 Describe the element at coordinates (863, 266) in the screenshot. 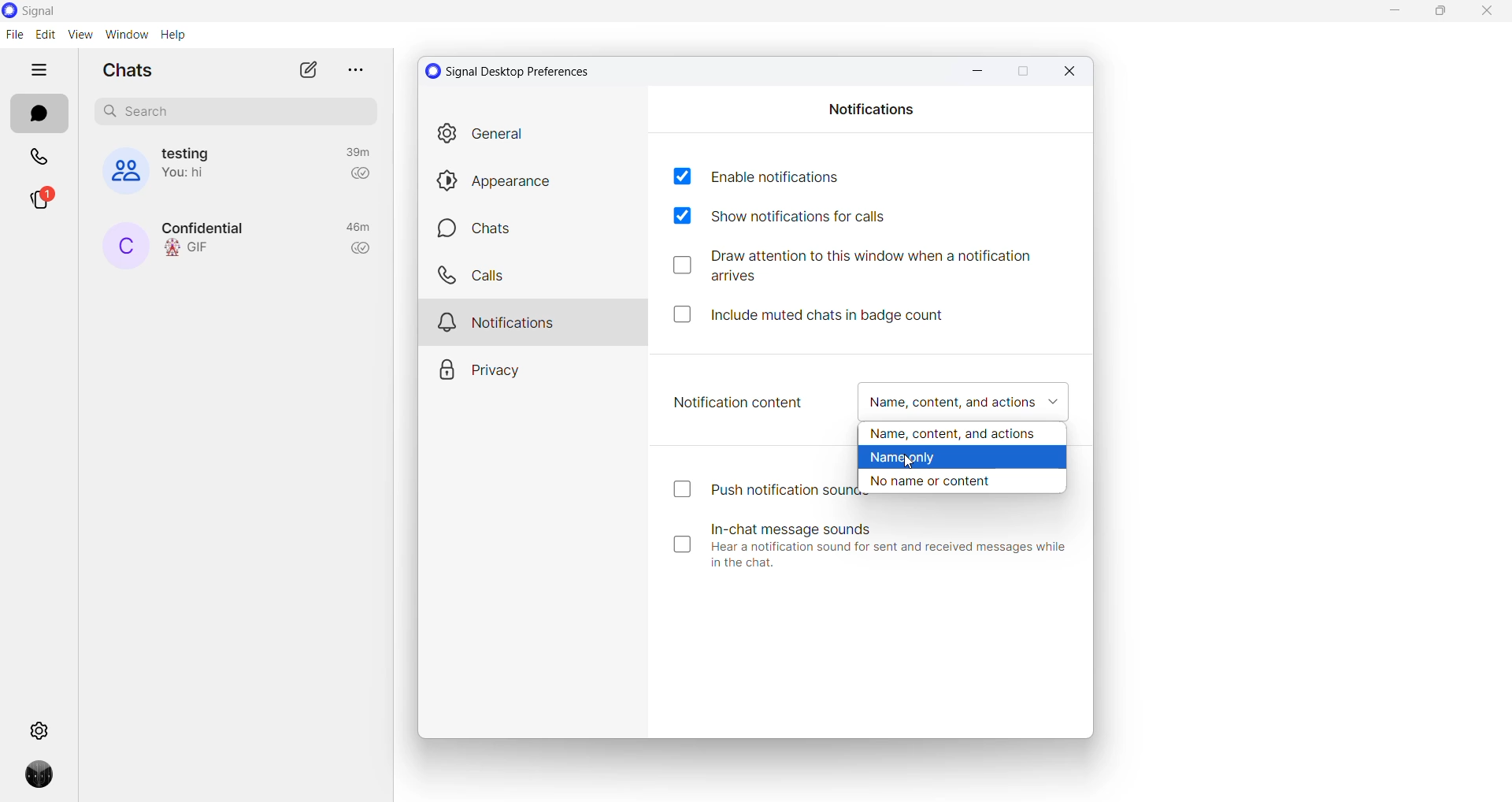

I see `draw attention checkbox` at that location.